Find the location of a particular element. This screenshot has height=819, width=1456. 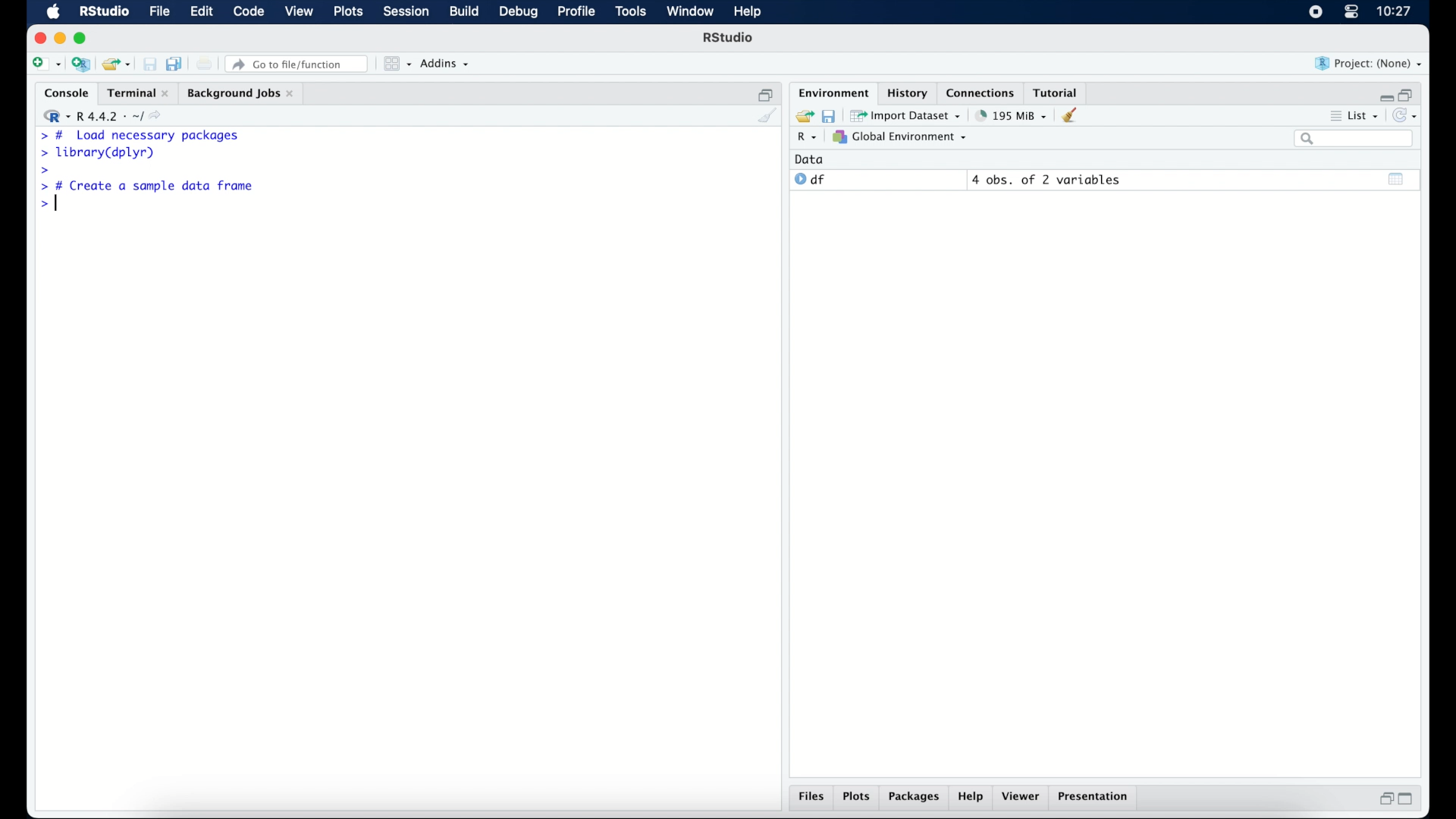

create new file is located at coordinates (45, 65).